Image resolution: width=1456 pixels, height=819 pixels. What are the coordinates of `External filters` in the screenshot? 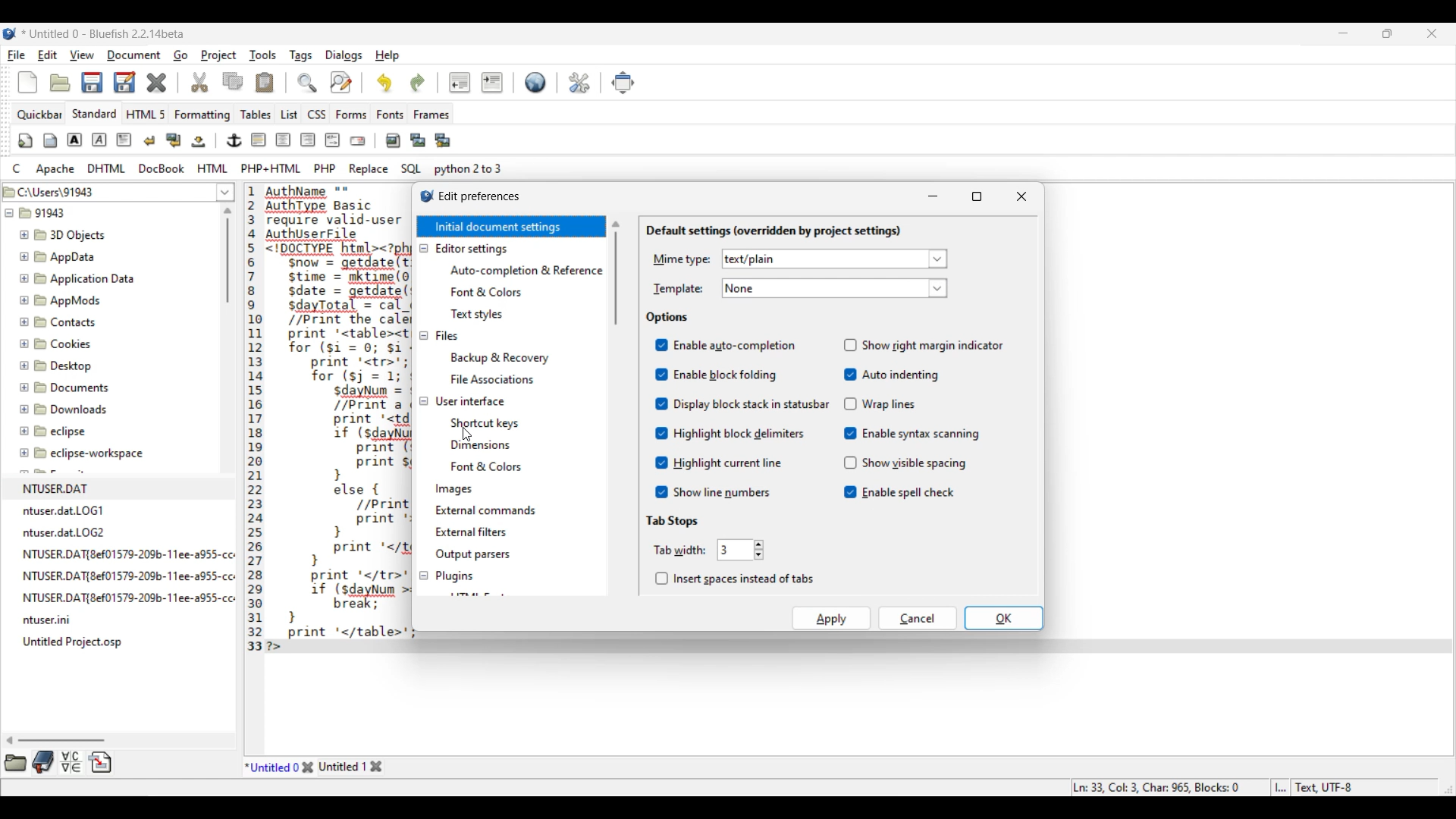 It's located at (472, 532).